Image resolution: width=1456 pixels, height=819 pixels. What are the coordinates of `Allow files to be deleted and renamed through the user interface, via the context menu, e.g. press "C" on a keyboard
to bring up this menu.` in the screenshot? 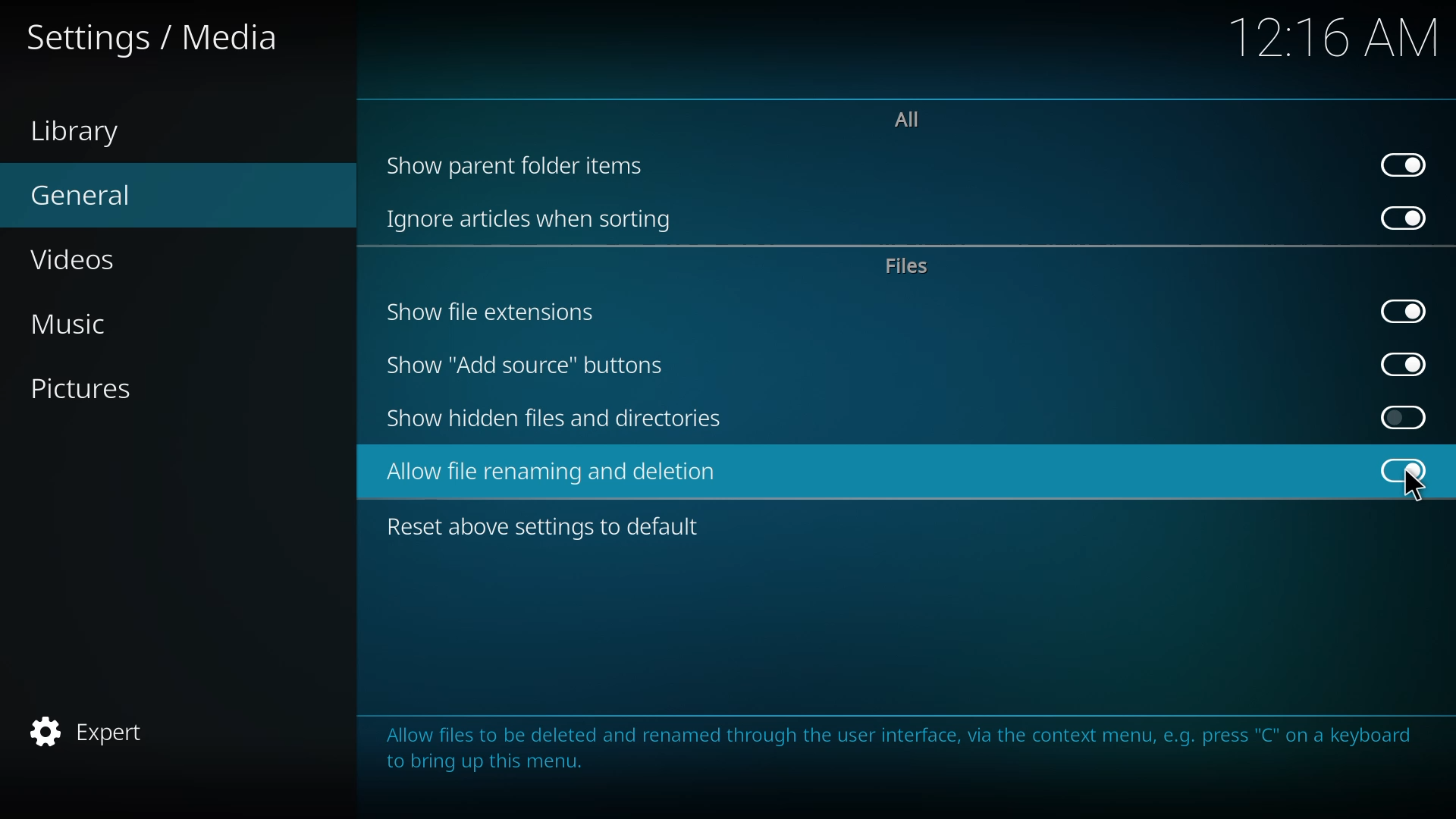 It's located at (897, 752).